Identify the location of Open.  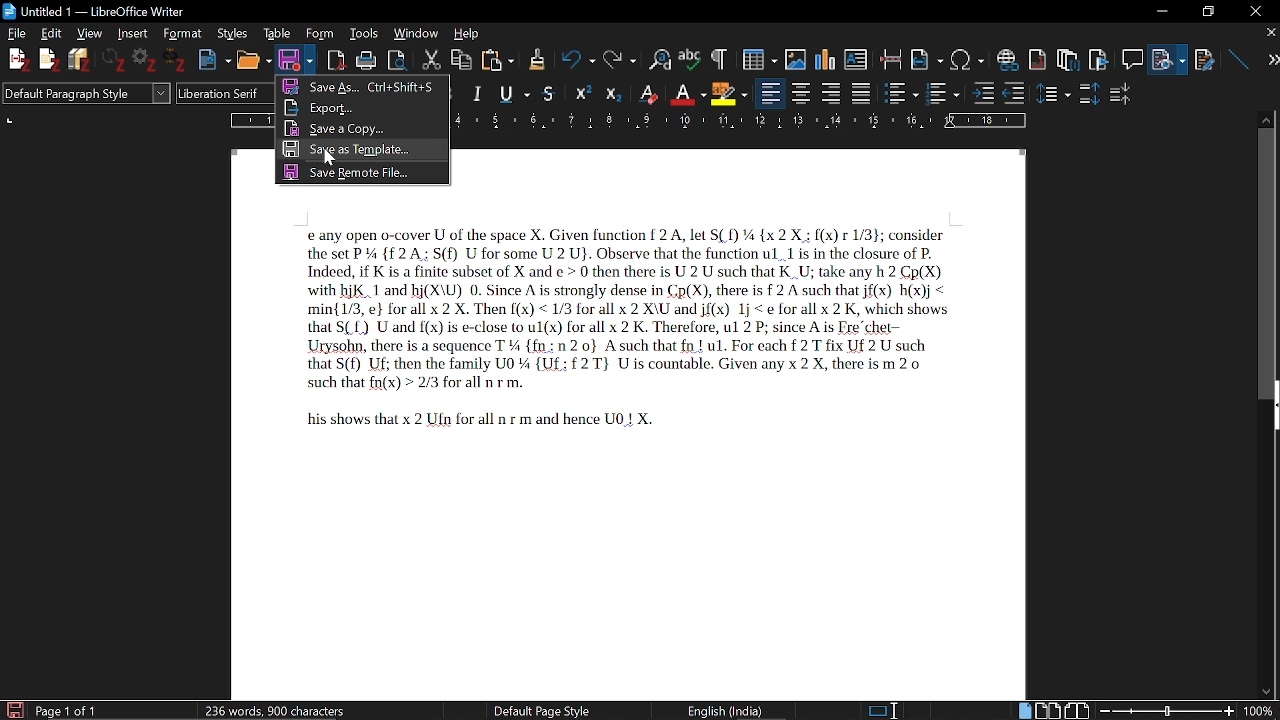
(251, 60).